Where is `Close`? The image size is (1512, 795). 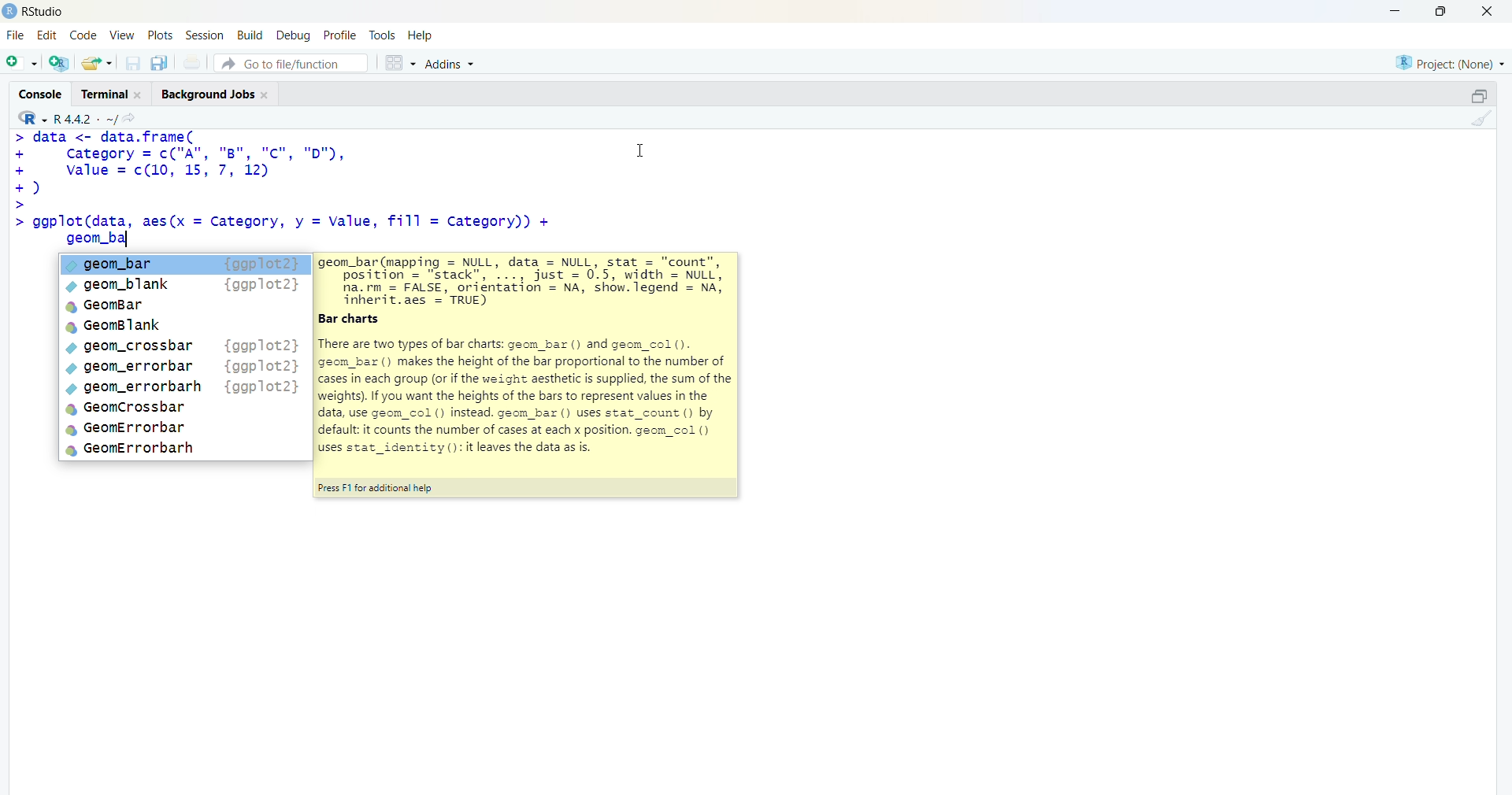
Close is located at coordinates (1484, 11).